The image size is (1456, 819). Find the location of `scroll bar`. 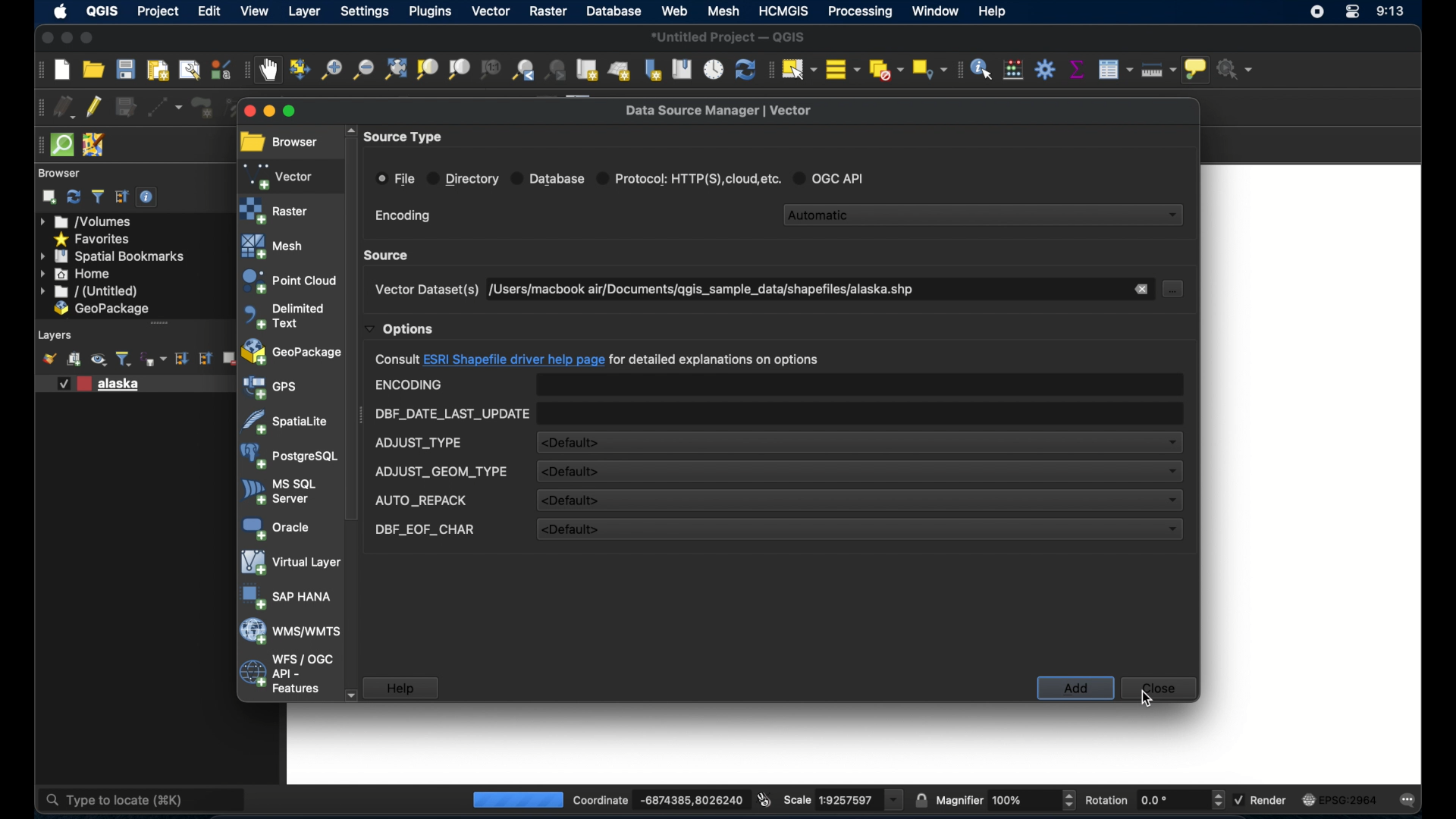

scroll bar is located at coordinates (155, 324).